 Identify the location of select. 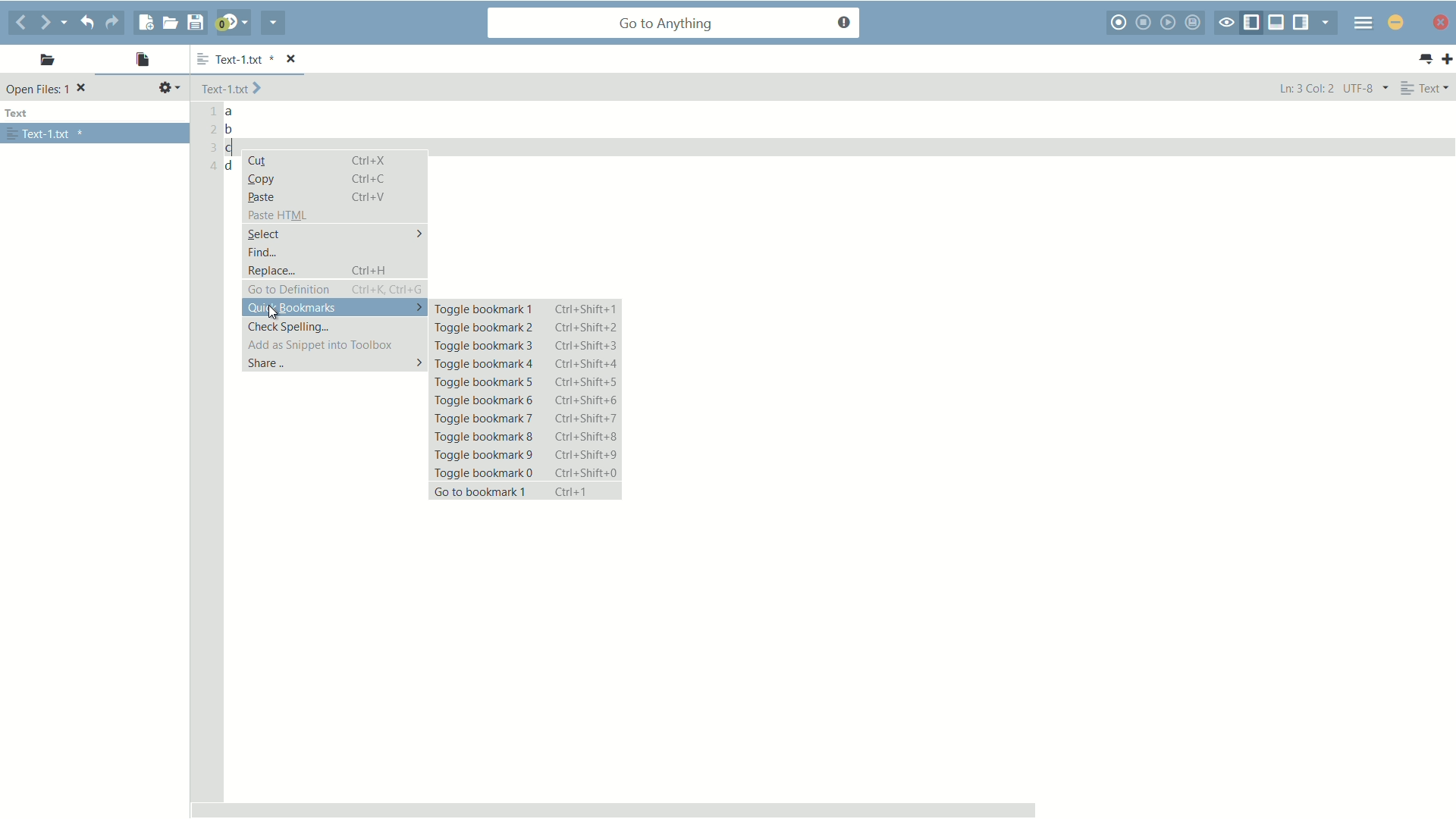
(334, 233).